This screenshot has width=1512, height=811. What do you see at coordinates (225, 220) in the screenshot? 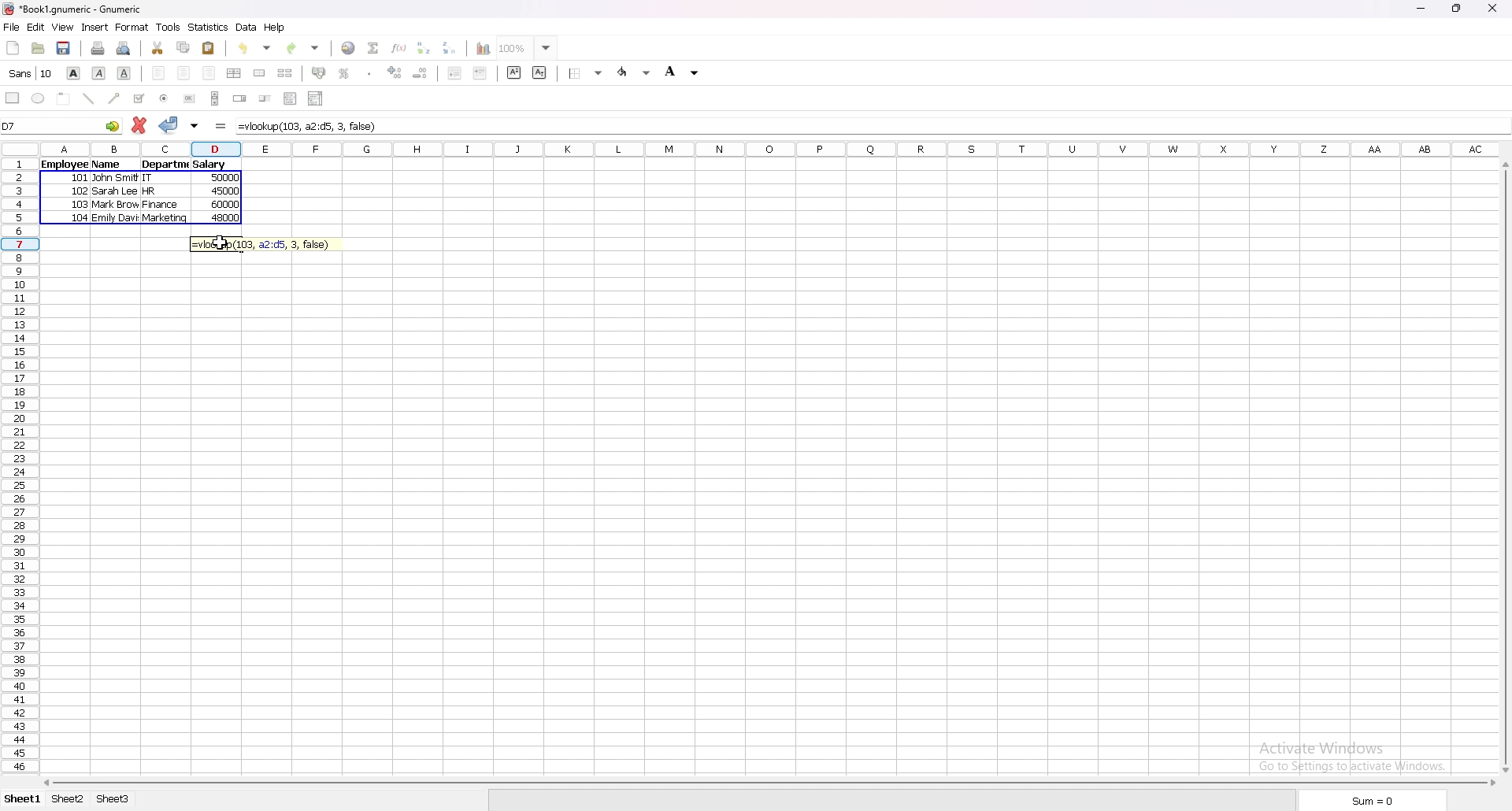
I see `48000` at bounding box center [225, 220].